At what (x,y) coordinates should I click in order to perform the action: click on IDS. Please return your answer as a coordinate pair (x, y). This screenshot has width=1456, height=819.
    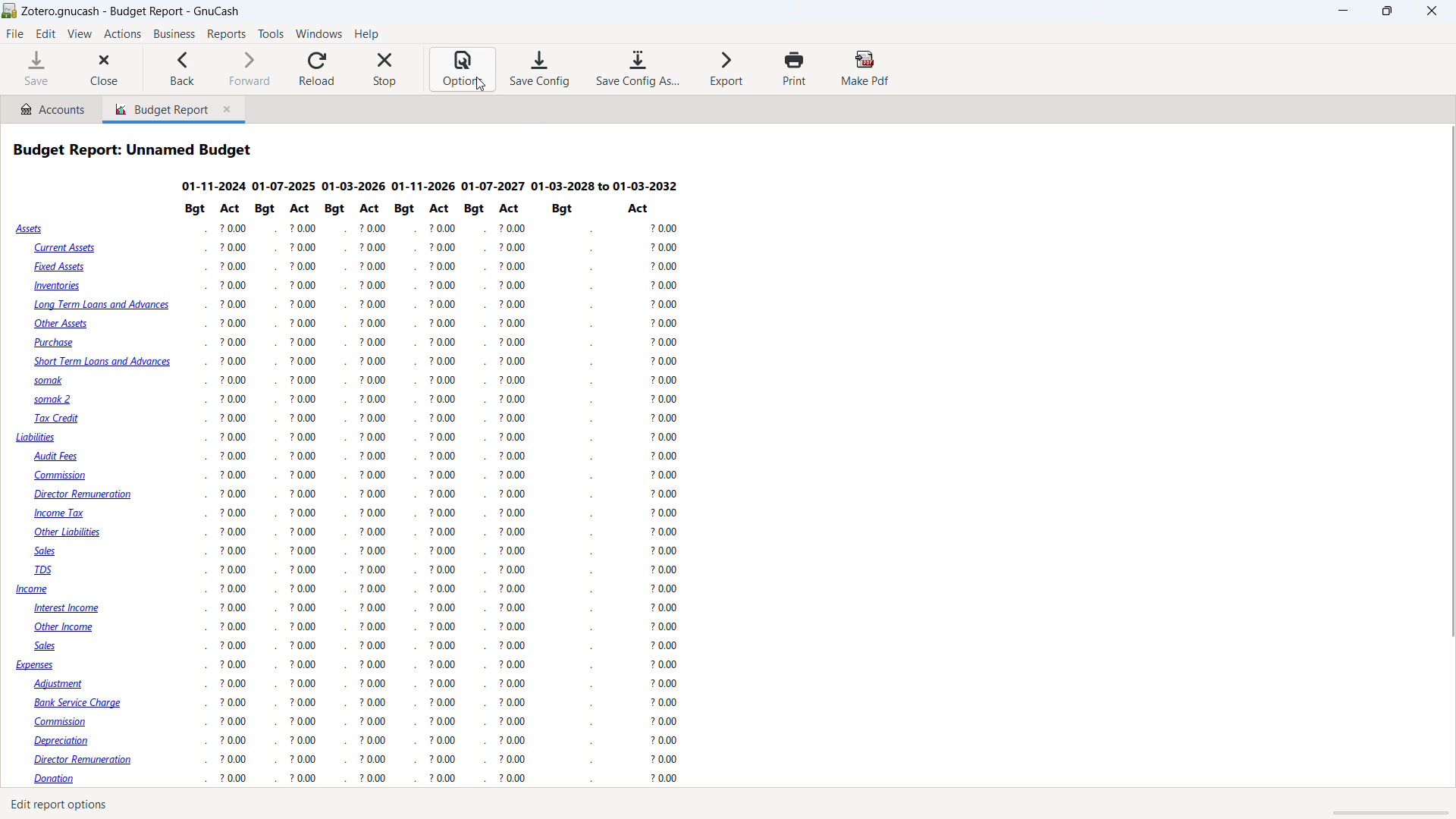
    Looking at the image, I should click on (46, 571).